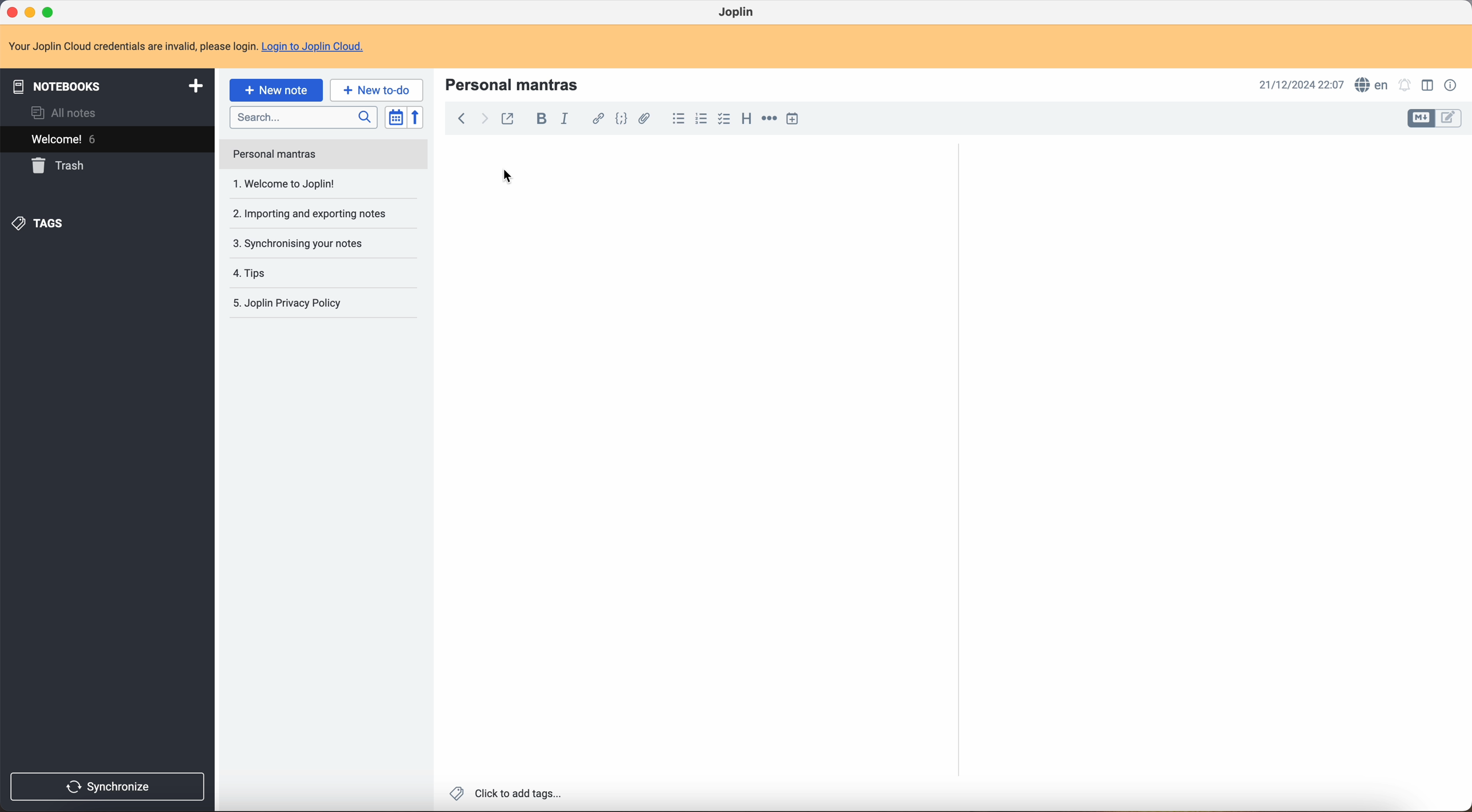 This screenshot has width=1472, height=812. Describe the element at coordinates (956, 345) in the screenshot. I see `scroll bar` at that location.